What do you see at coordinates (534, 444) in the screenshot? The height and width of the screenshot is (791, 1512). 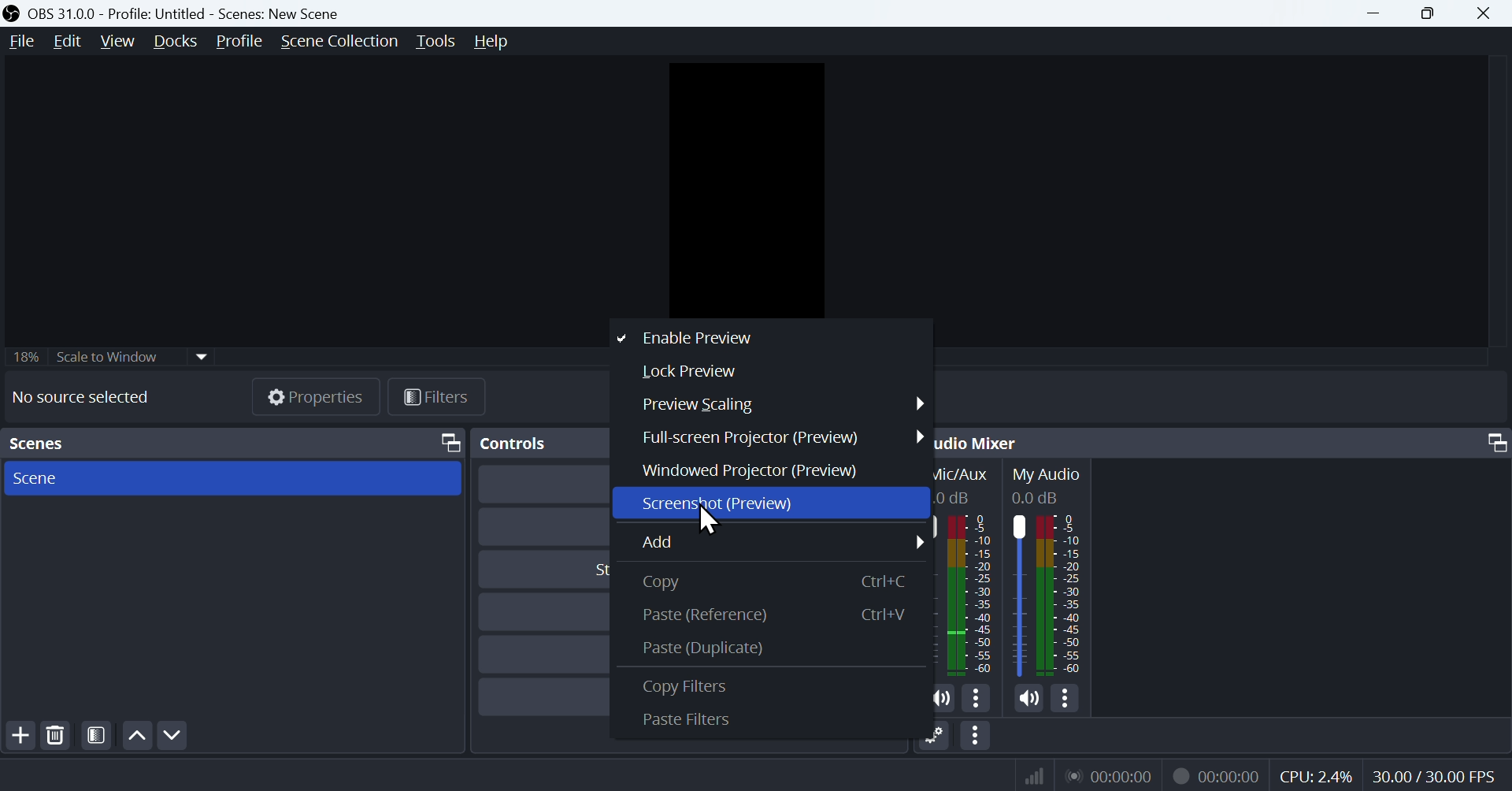 I see `Controls` at bounding box center [534, 444].